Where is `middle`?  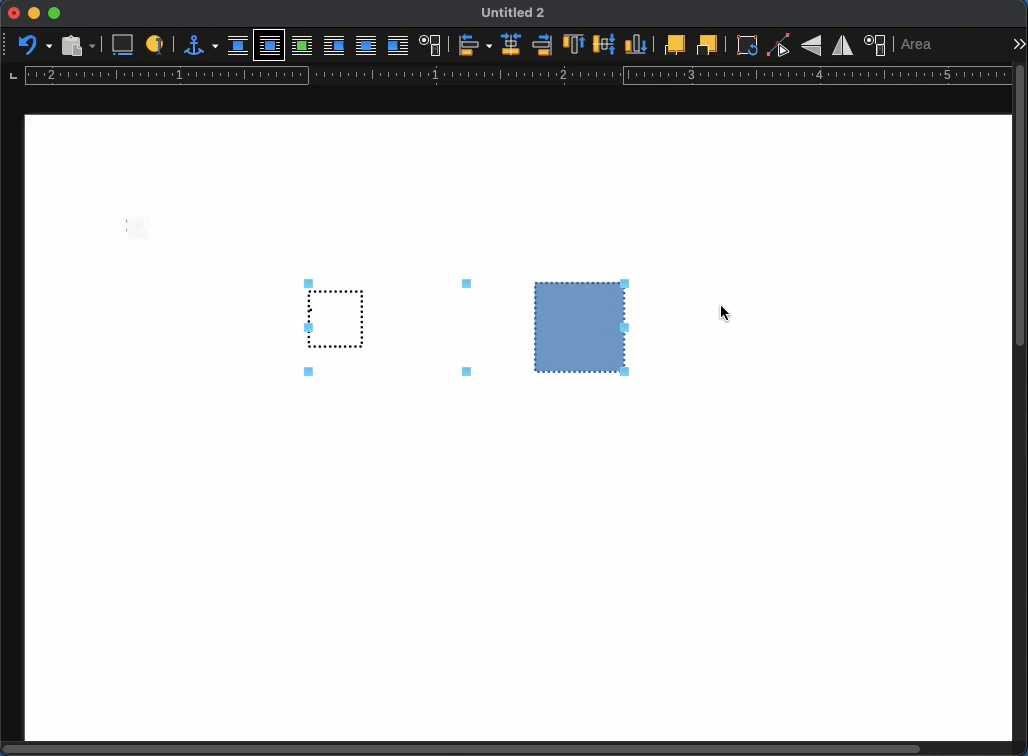 middle is located at coordinates (605, 44).